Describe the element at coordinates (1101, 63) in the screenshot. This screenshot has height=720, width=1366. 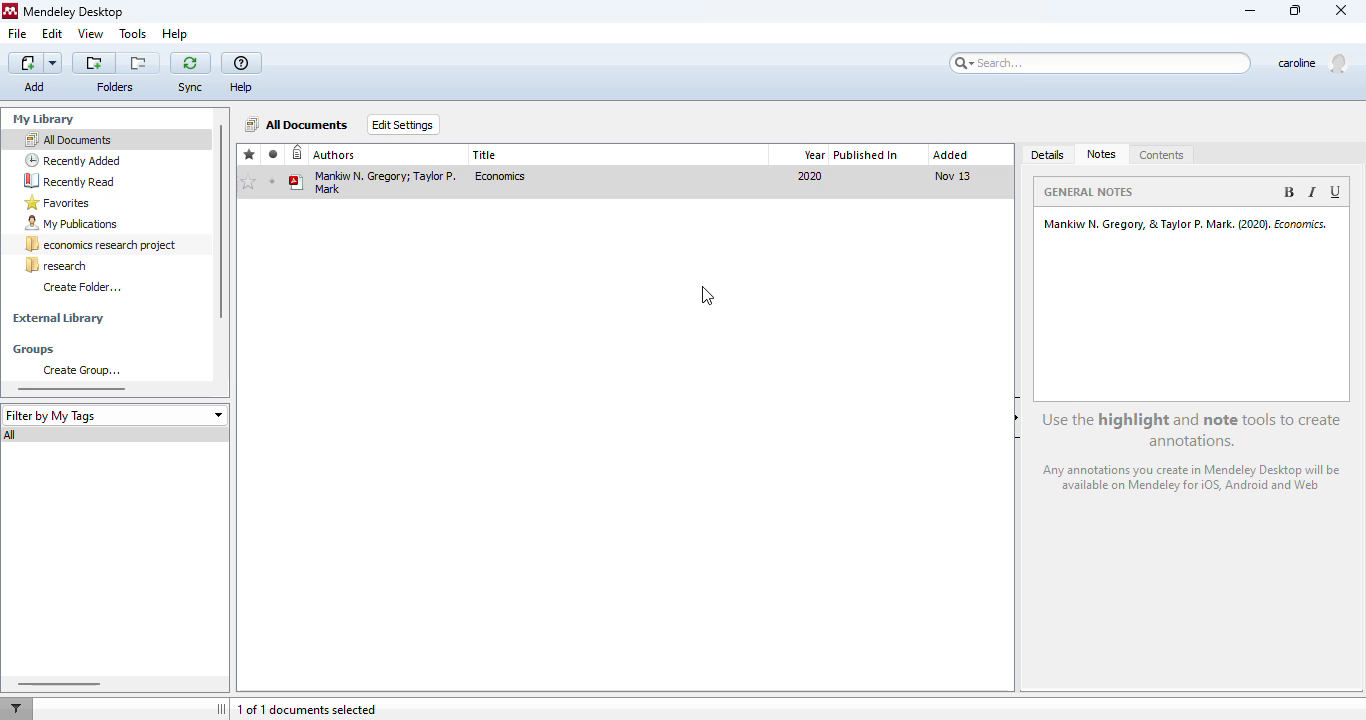
I see `search` at that location.